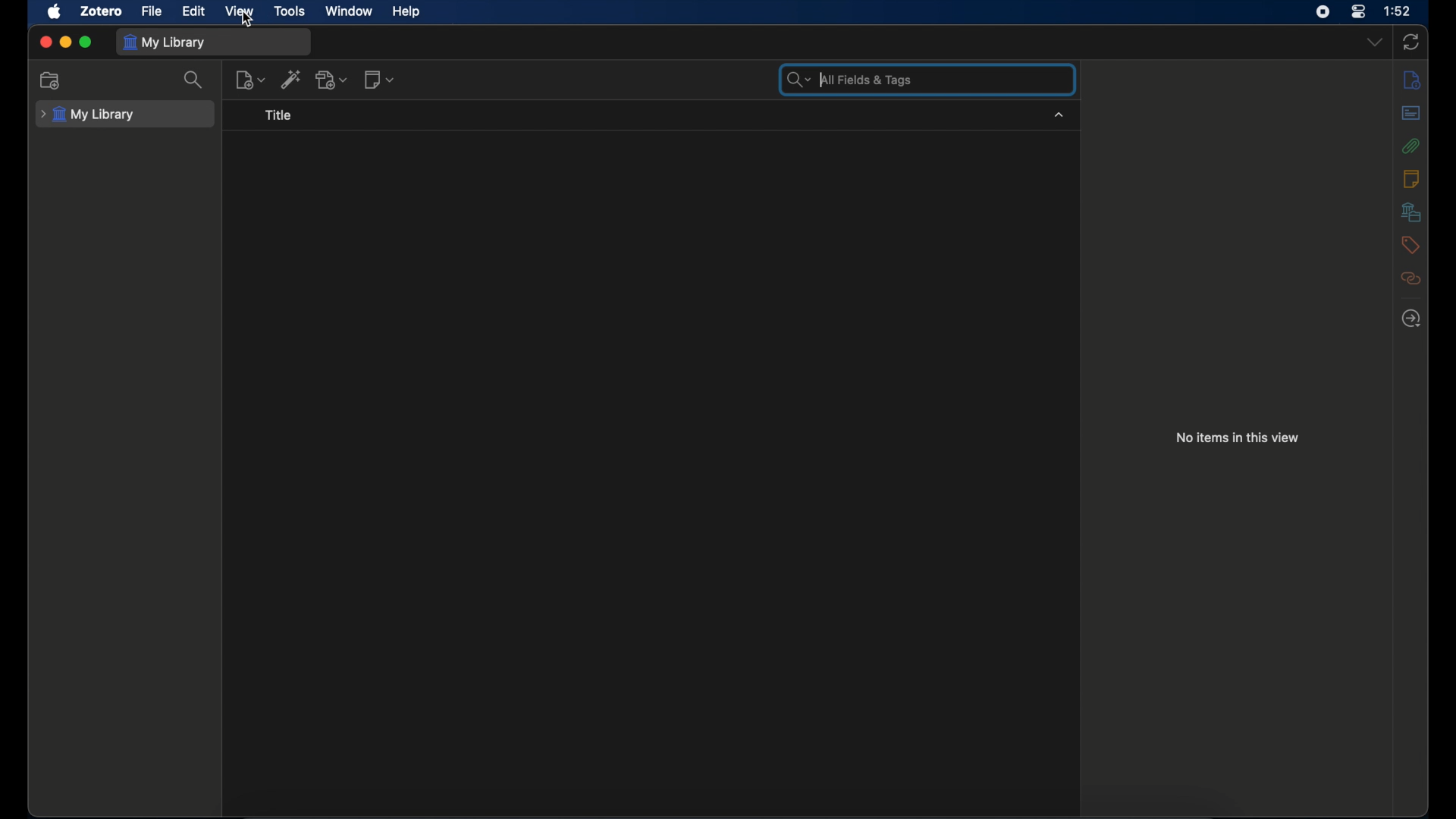 The height and width of the screenshot is (819, 1456). What do you see at coordinates (196, 12) in the screenshot?
I see `edit` at bounding box center [196, 12].